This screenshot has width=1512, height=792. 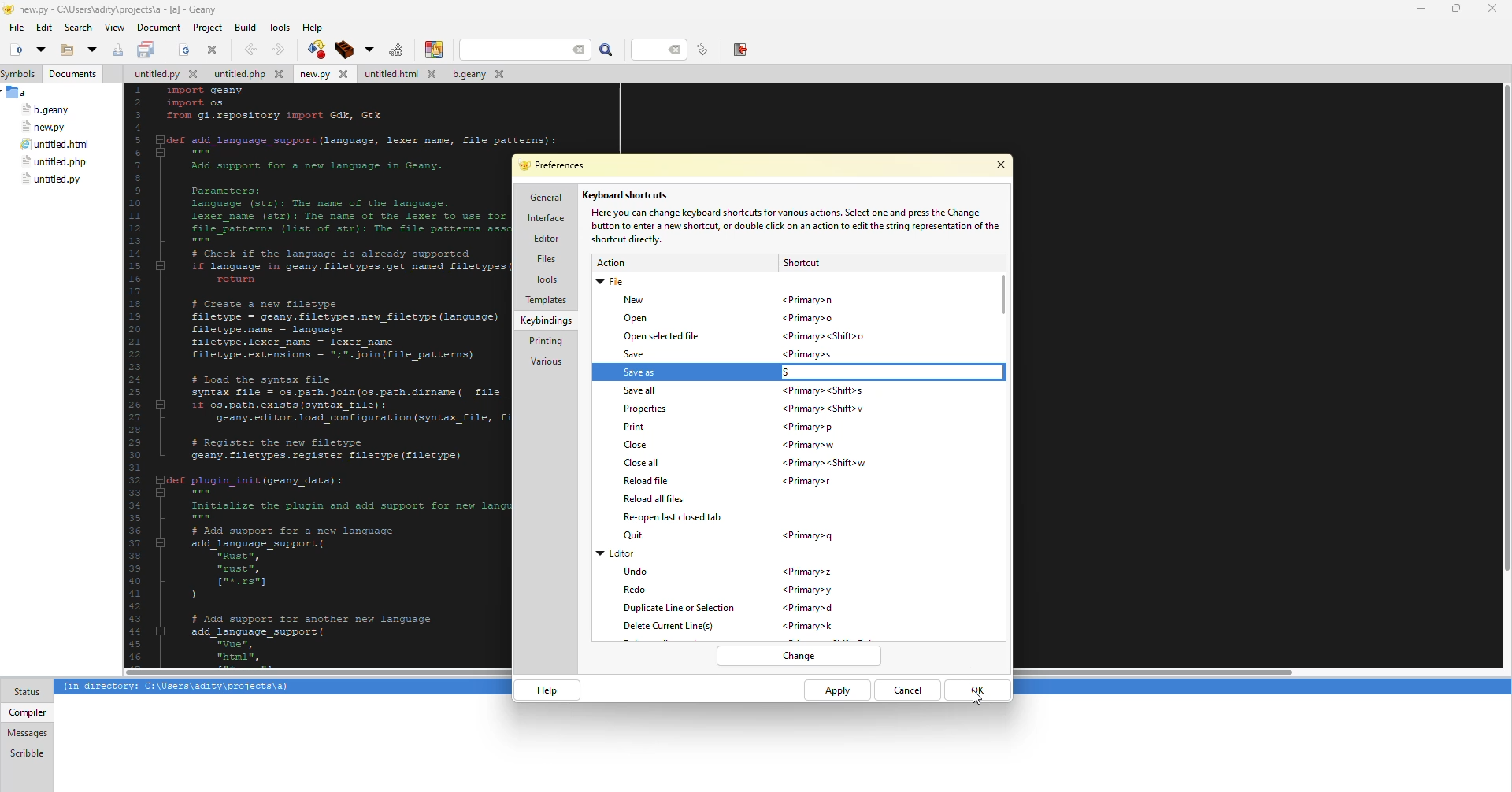 I want to click on properties, so click(x=646, y=409).